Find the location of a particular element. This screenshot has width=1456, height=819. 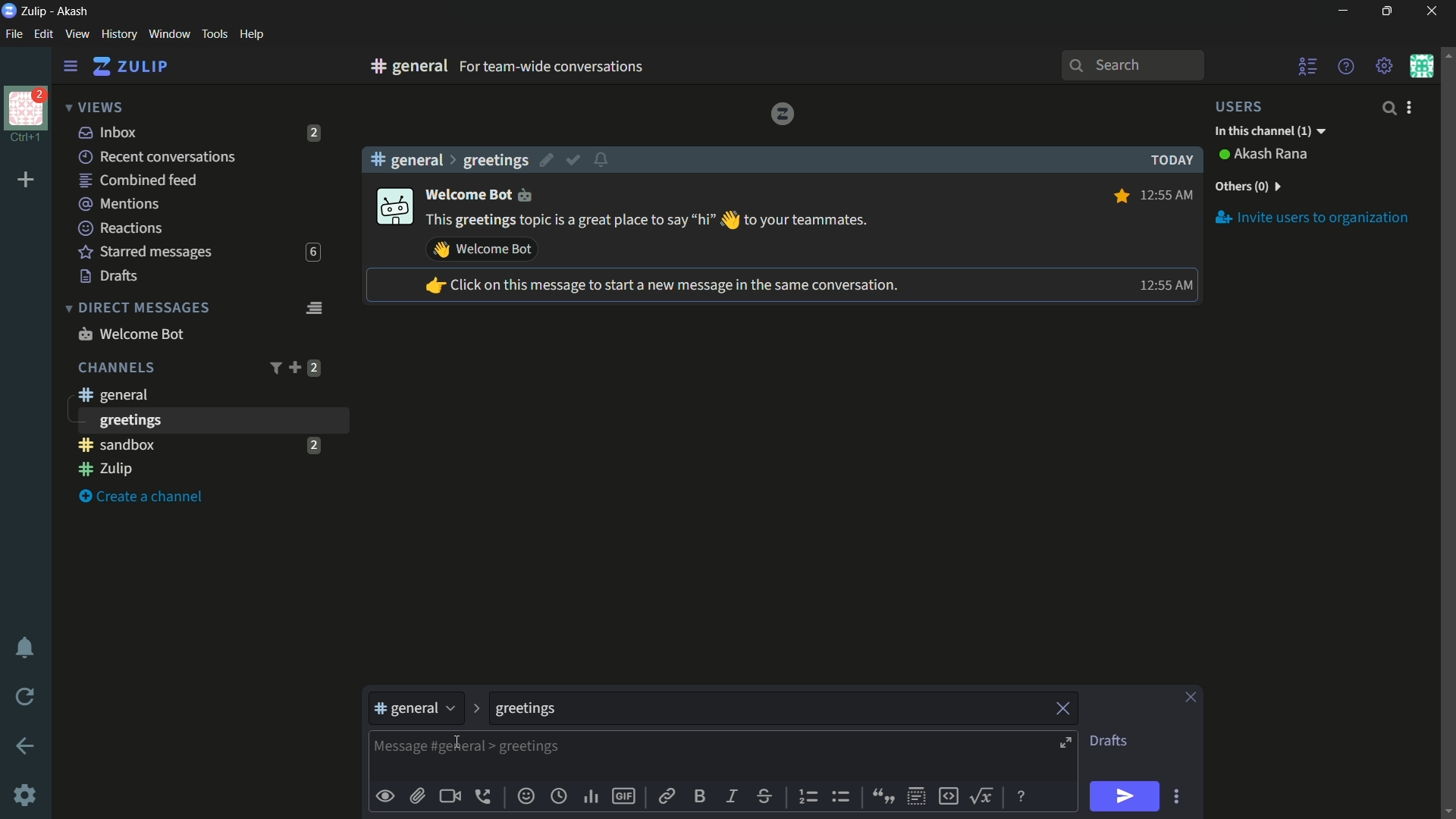

help menu is located at coordinates (251, 35).